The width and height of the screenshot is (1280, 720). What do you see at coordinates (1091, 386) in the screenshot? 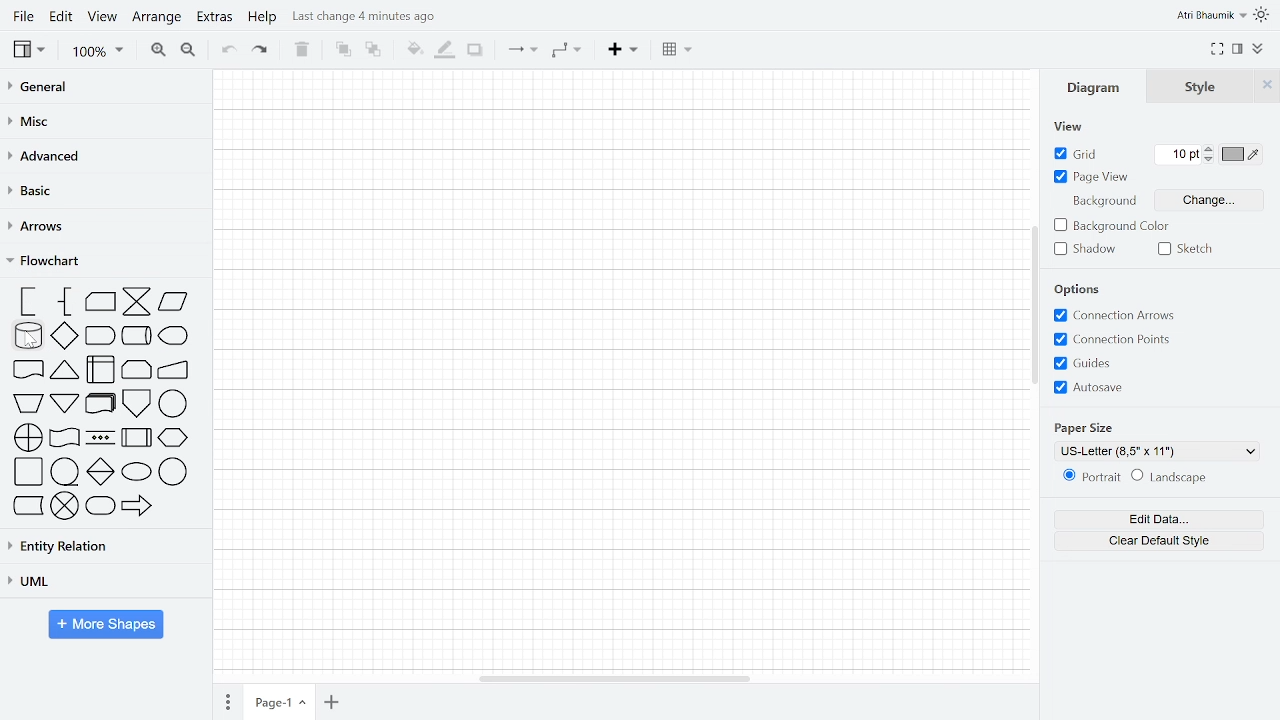
I see `Autosave` at bounding box center [1091, 386].